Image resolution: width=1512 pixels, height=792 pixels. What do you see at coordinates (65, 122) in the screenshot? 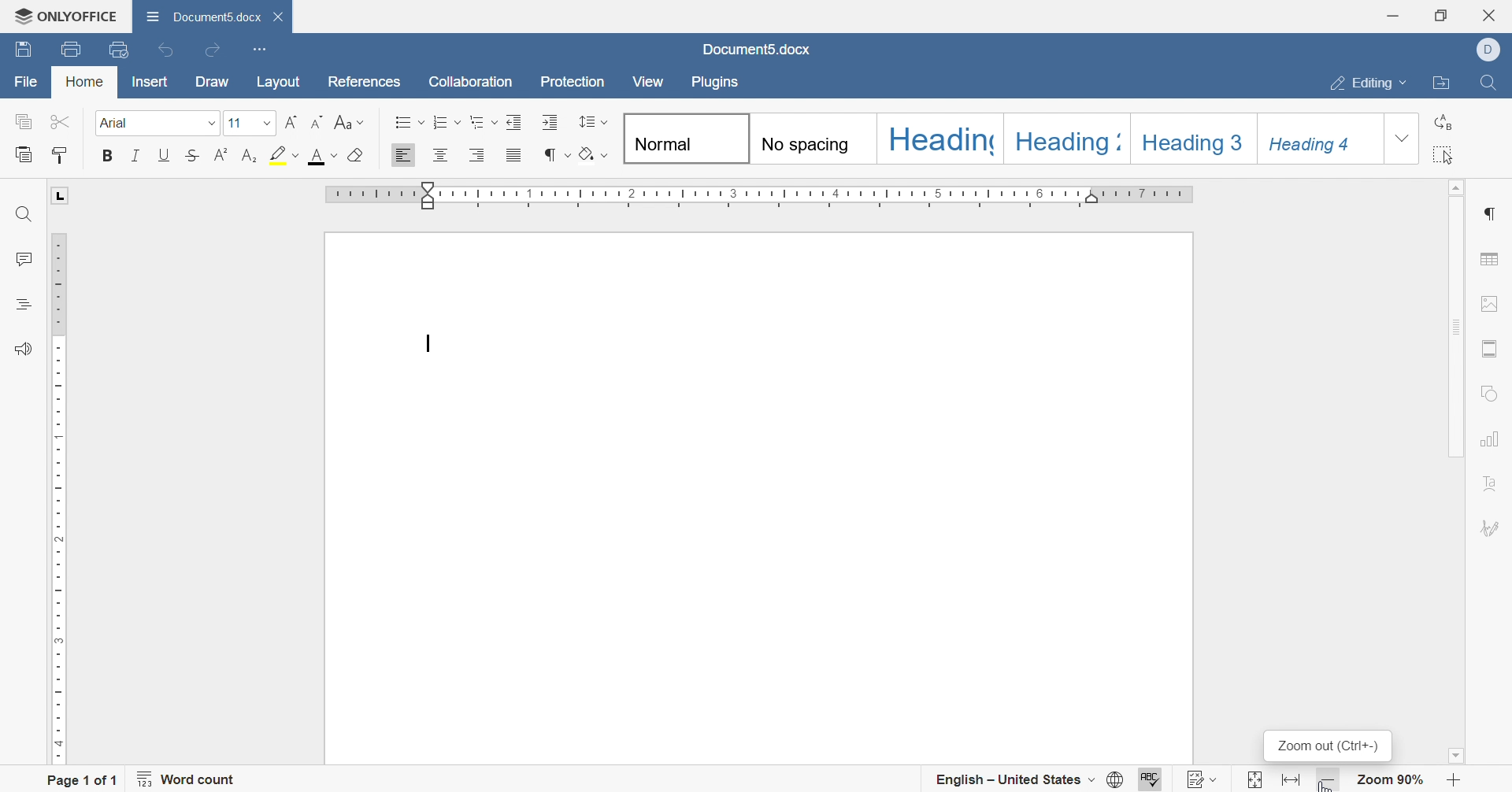
I see `cut` at bounding box center [65, 122].